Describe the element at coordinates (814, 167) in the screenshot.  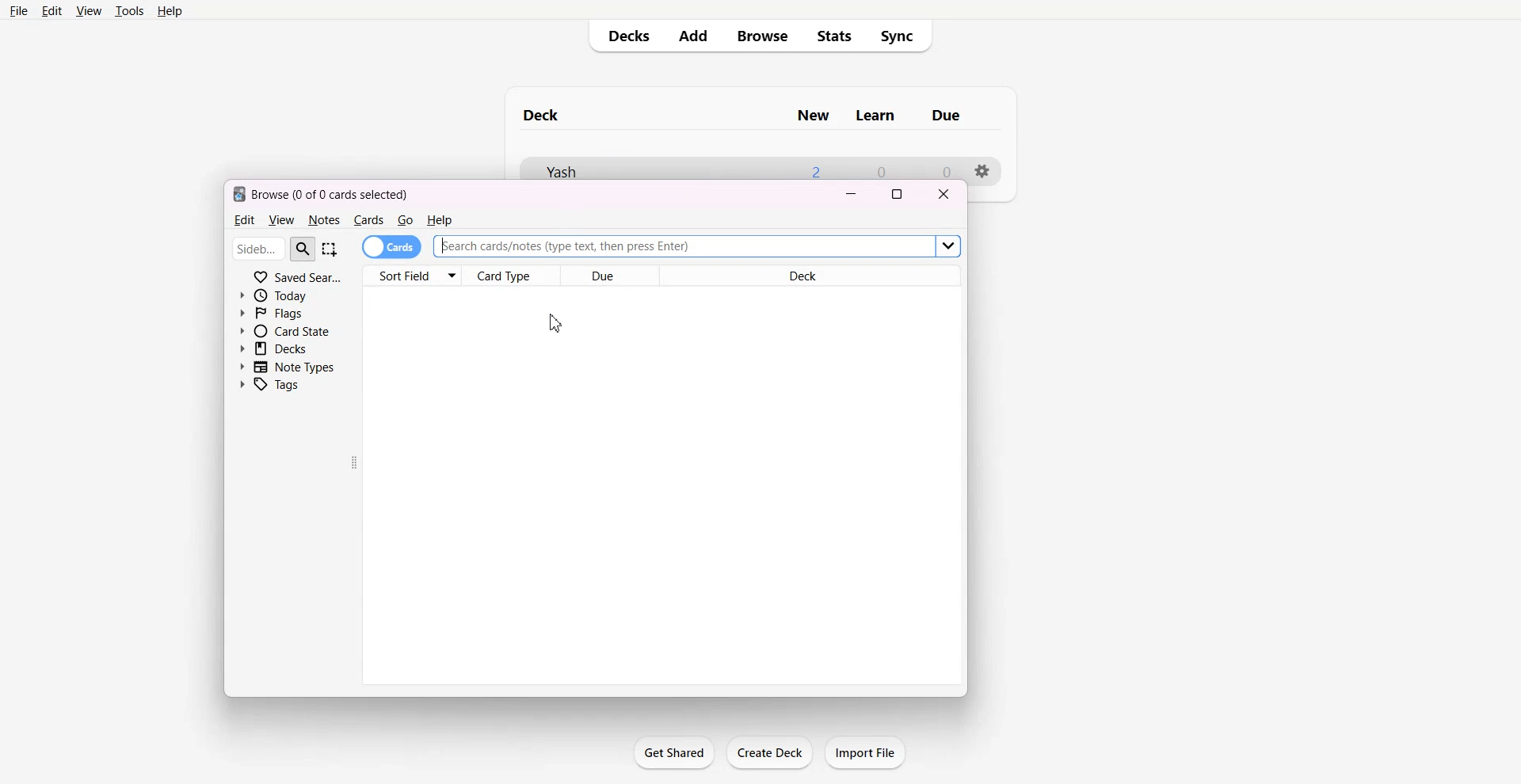
I see `2` at that location.